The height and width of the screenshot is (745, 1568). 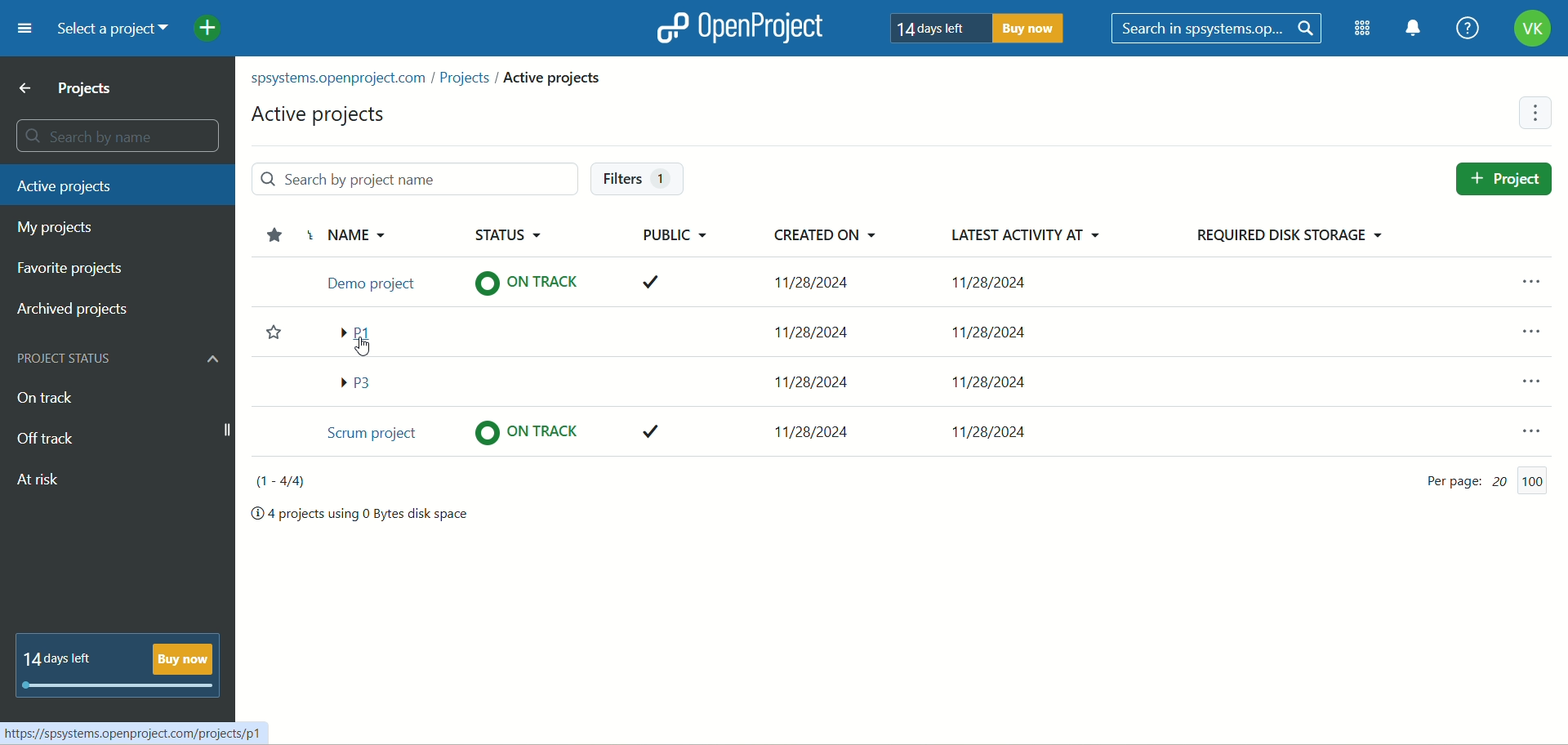 What do you see at coordinates (42, 482) in the screenshot?
I see `at risk` at bounding box center [42, 482].